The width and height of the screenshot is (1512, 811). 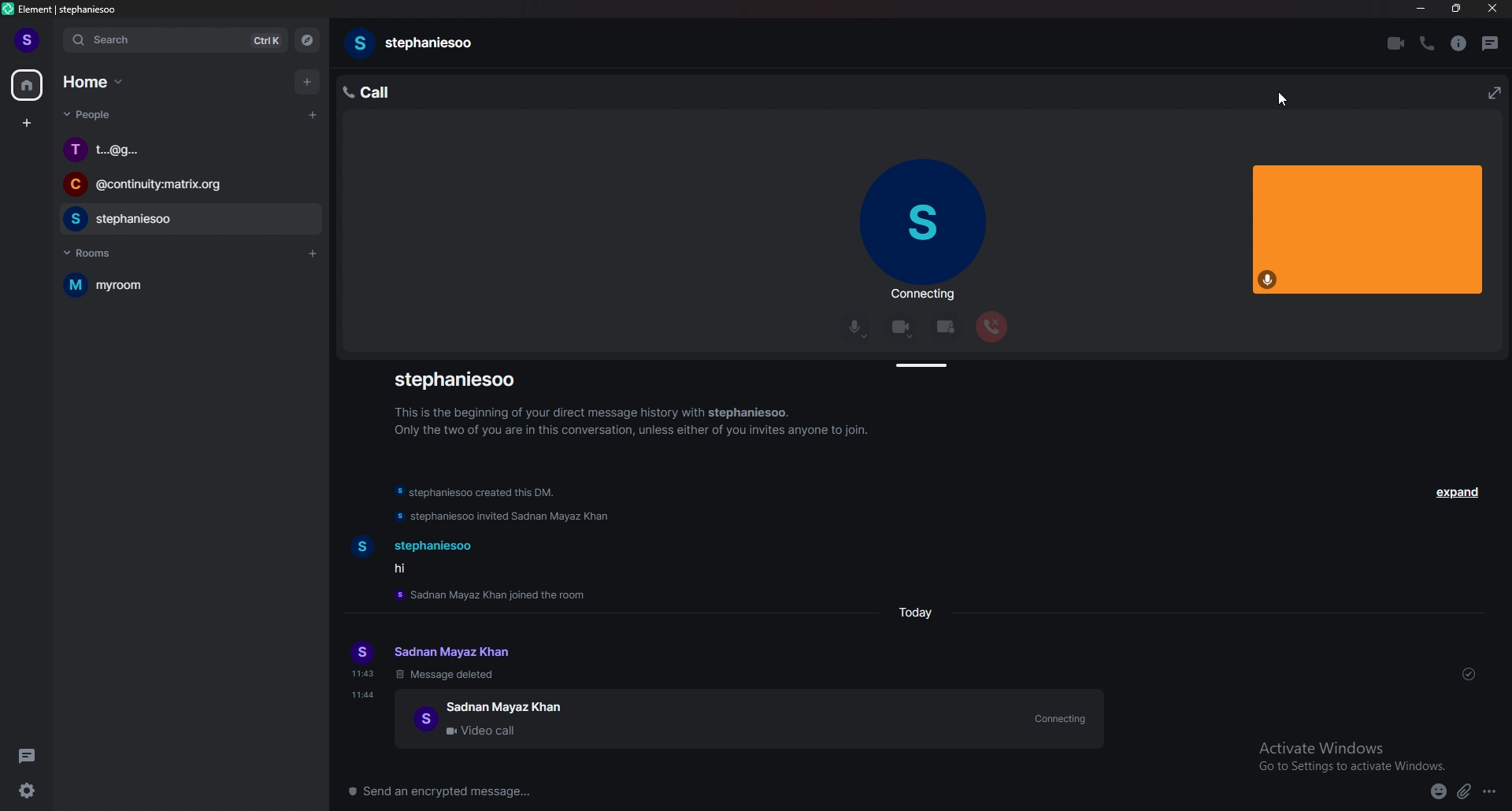 What do you see at coordinates (450, 661) in the screenshot?
I see `text` at bounding box center [450, 661].